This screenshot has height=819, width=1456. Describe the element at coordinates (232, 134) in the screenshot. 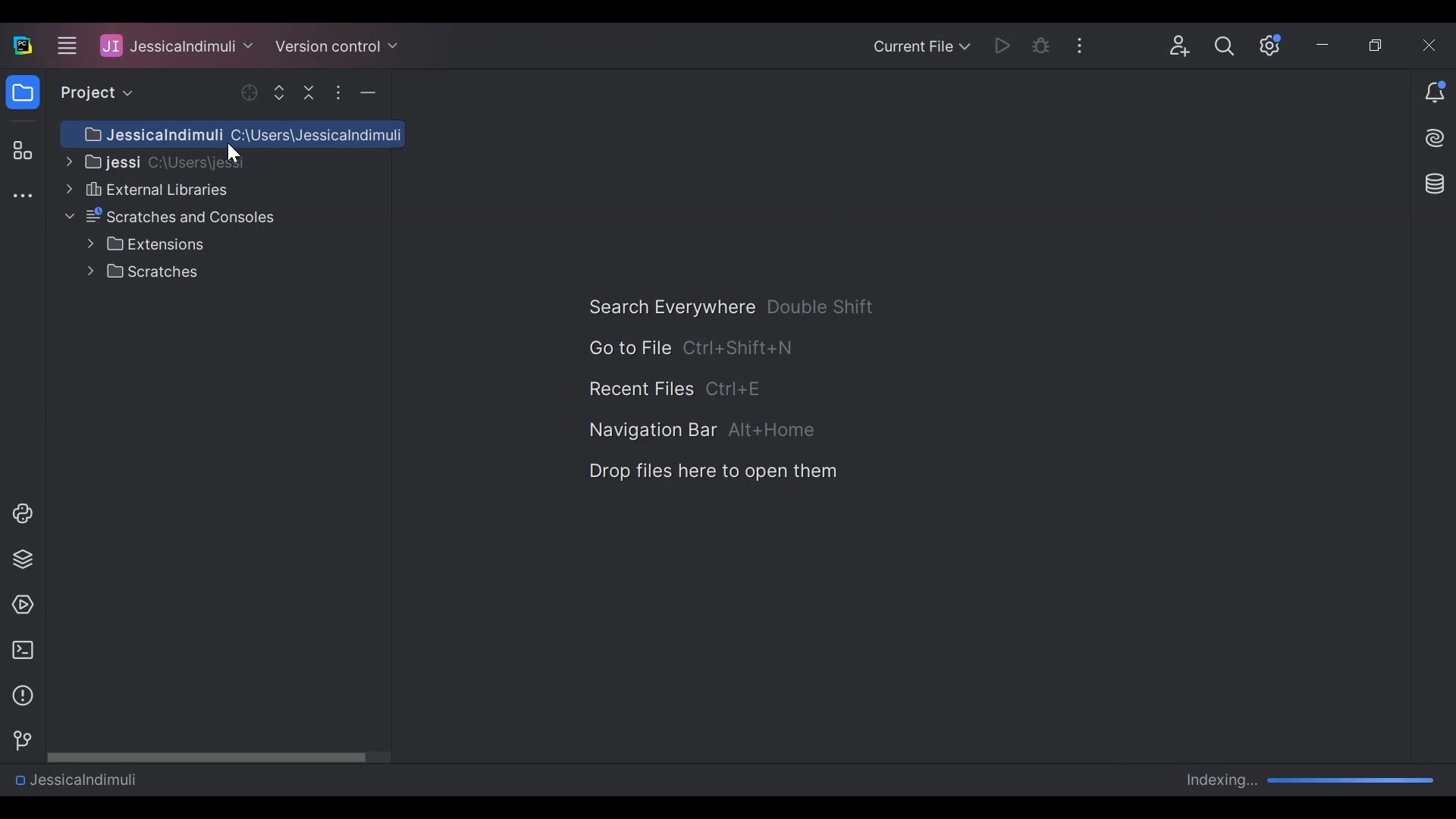

I see `Project Path` at that location.